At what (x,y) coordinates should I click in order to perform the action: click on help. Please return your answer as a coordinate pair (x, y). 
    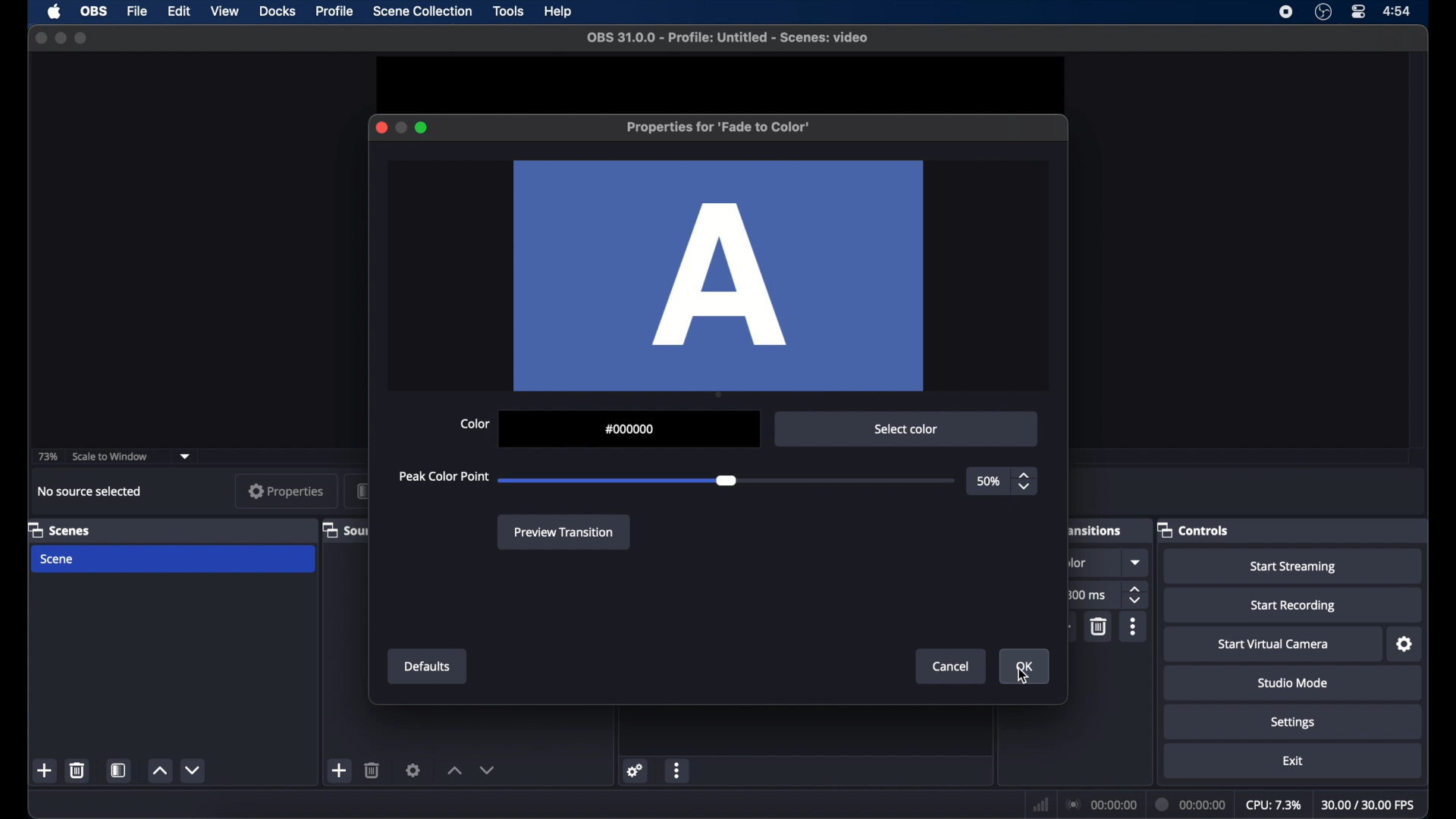
    Looking at the image, I should click on (558, 11).